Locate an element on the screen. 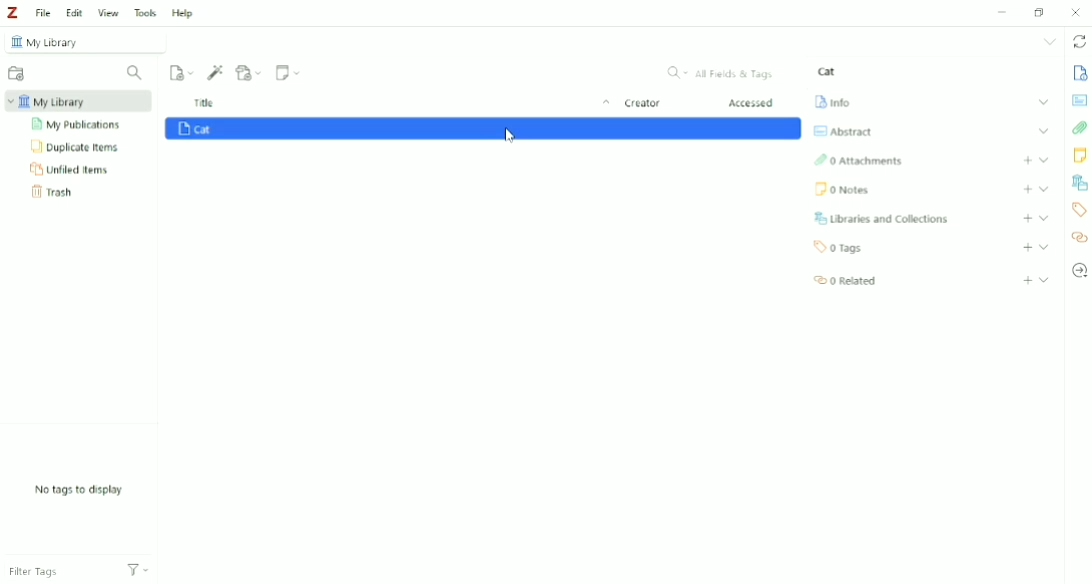  Related is located at coordinates (1079, 238).